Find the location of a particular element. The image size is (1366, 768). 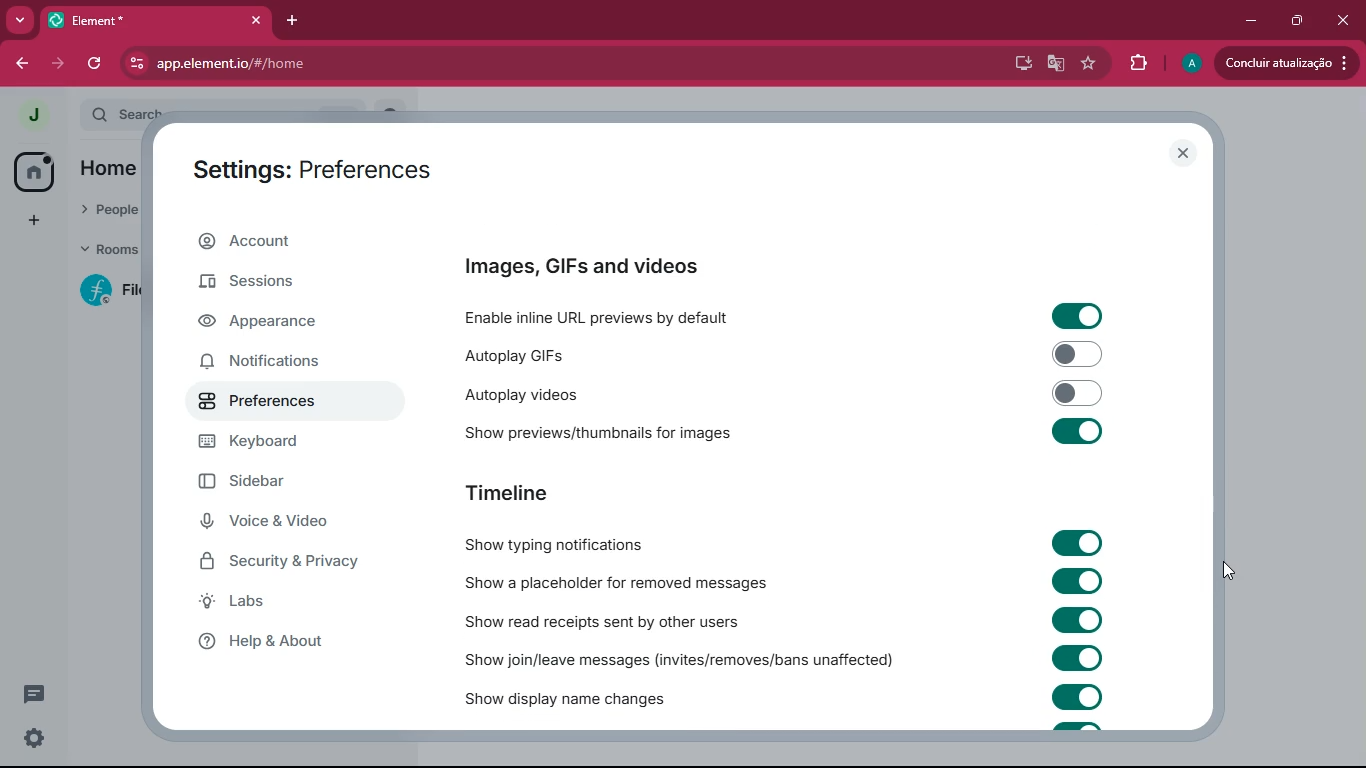

autoplay videos is located at coordinates (629, 392).